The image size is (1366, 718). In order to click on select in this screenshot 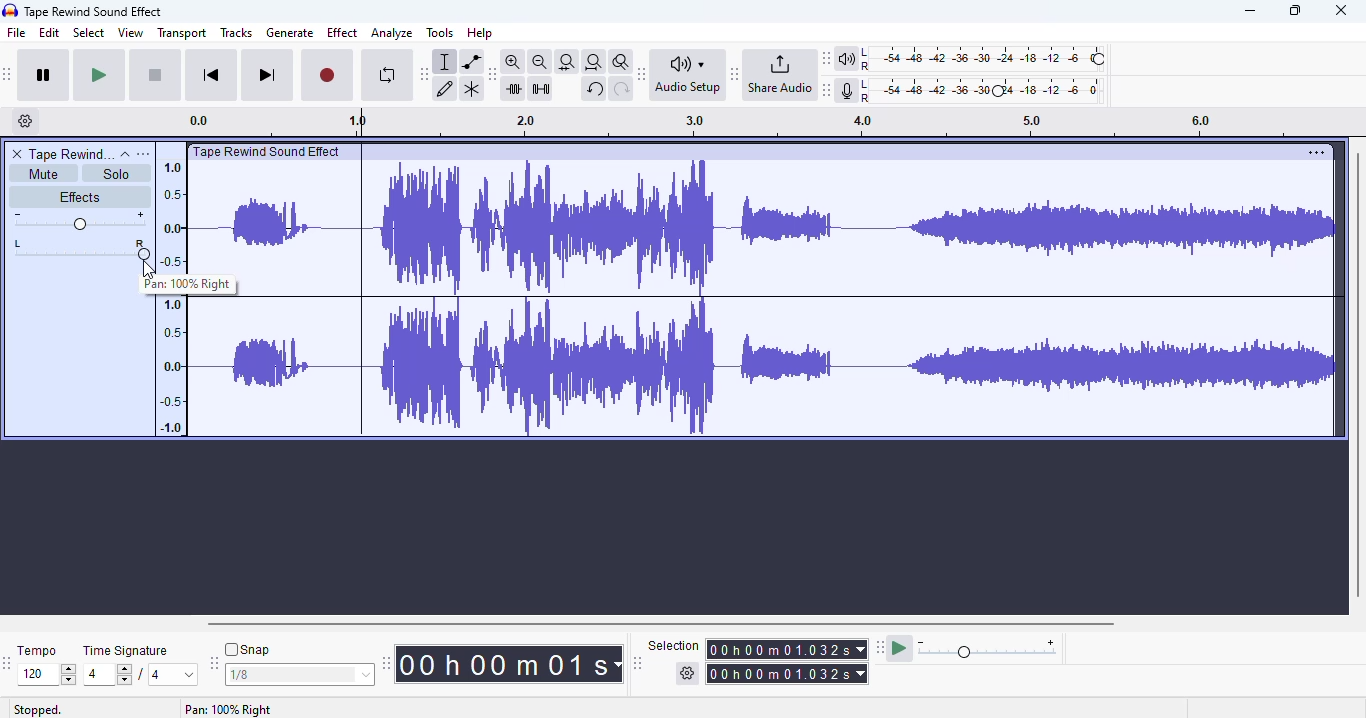, I will do `click(90, 32)`.